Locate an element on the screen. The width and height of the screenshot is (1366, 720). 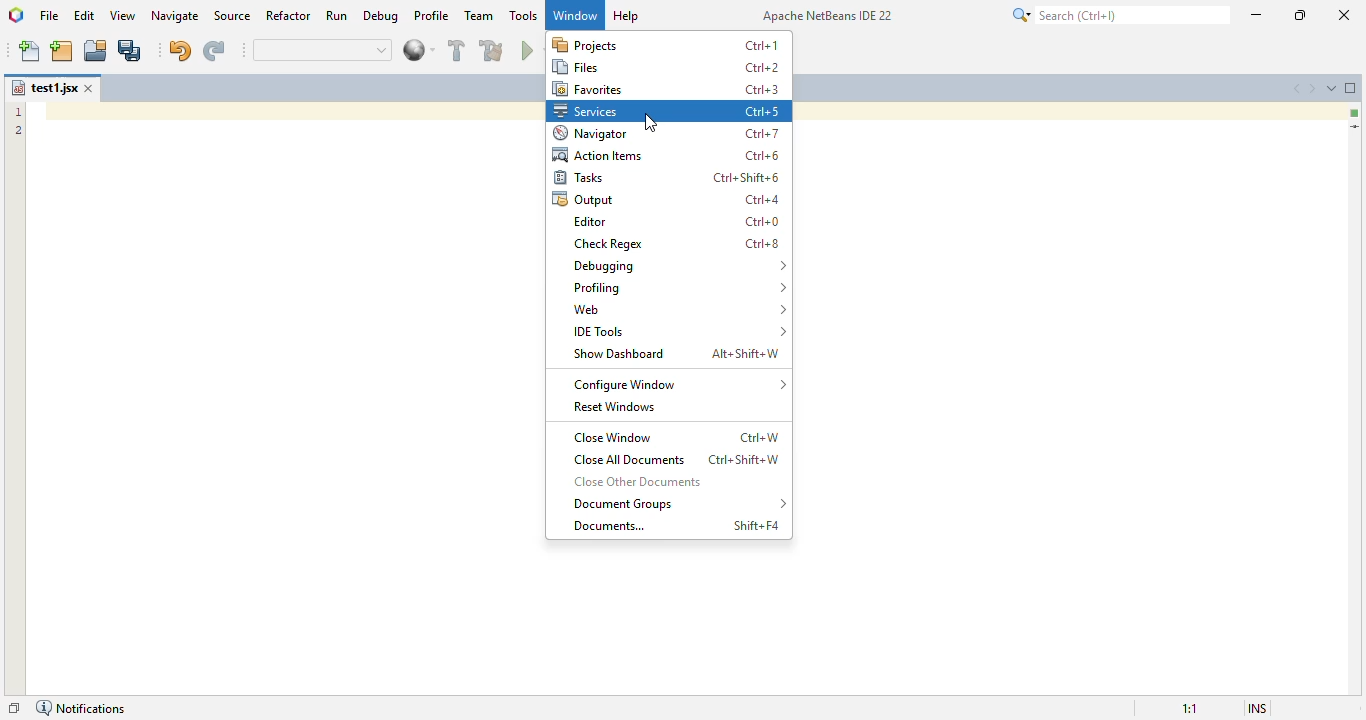
redo is located at coordinates (214, 51).